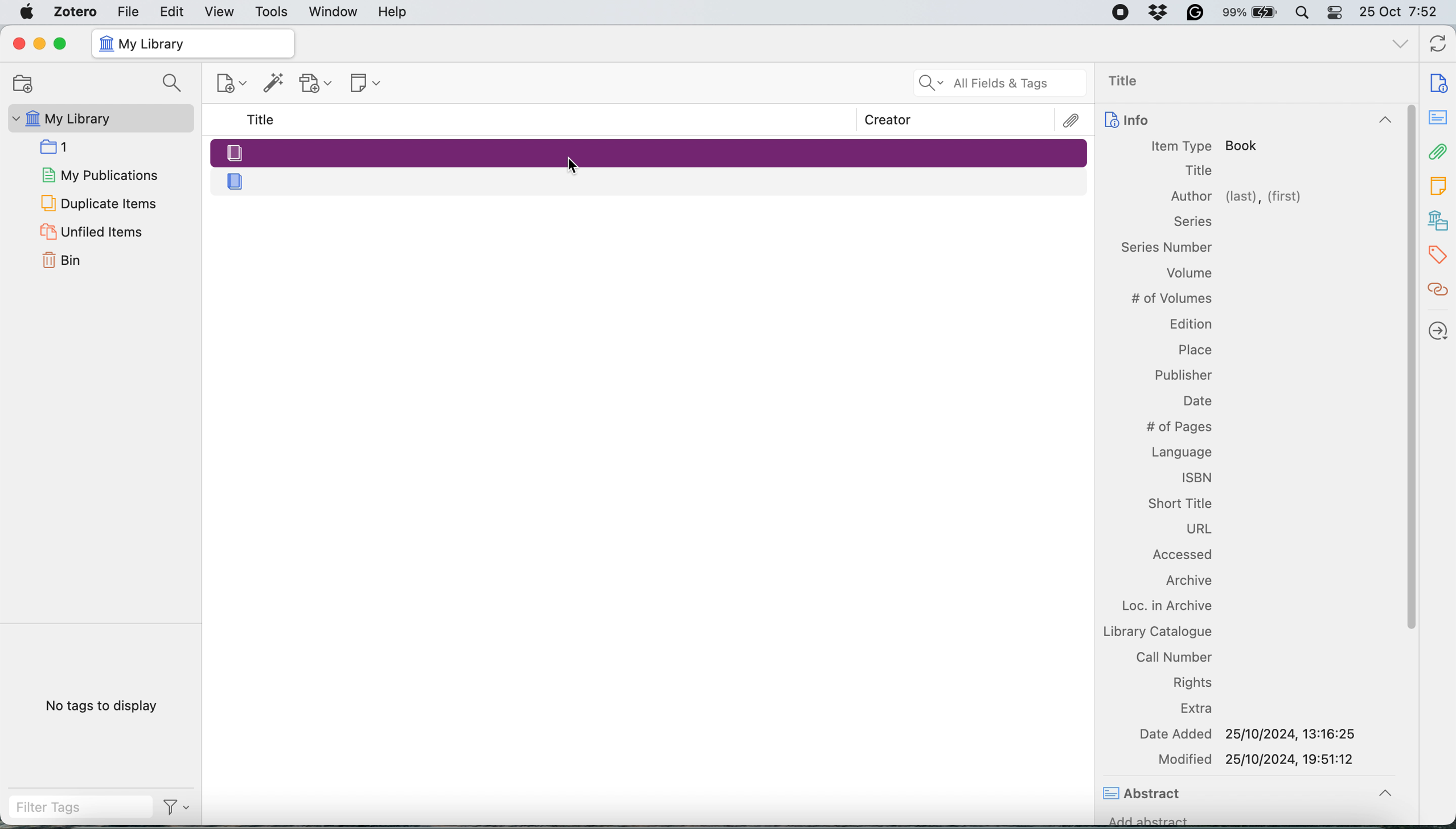 The width and height of the screenshot is (1456, 829). Describe the element at coordinates (1199, 530) in the screenshot. I see `URL` at that location.